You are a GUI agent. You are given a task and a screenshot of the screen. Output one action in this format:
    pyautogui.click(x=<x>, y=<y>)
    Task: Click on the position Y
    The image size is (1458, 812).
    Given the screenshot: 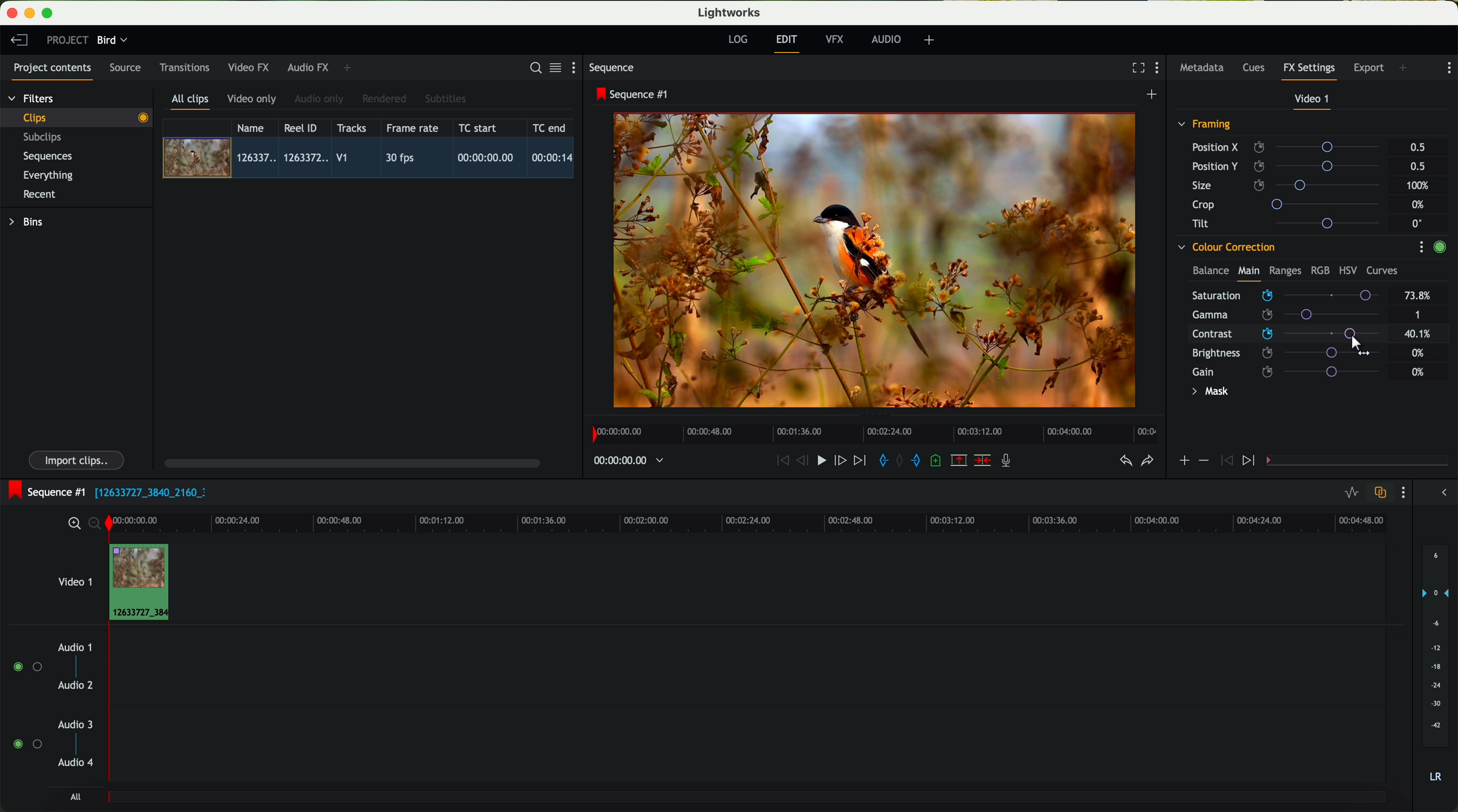 What is the action you would take?
    pyautogui.click(x=1290, y=166)
    